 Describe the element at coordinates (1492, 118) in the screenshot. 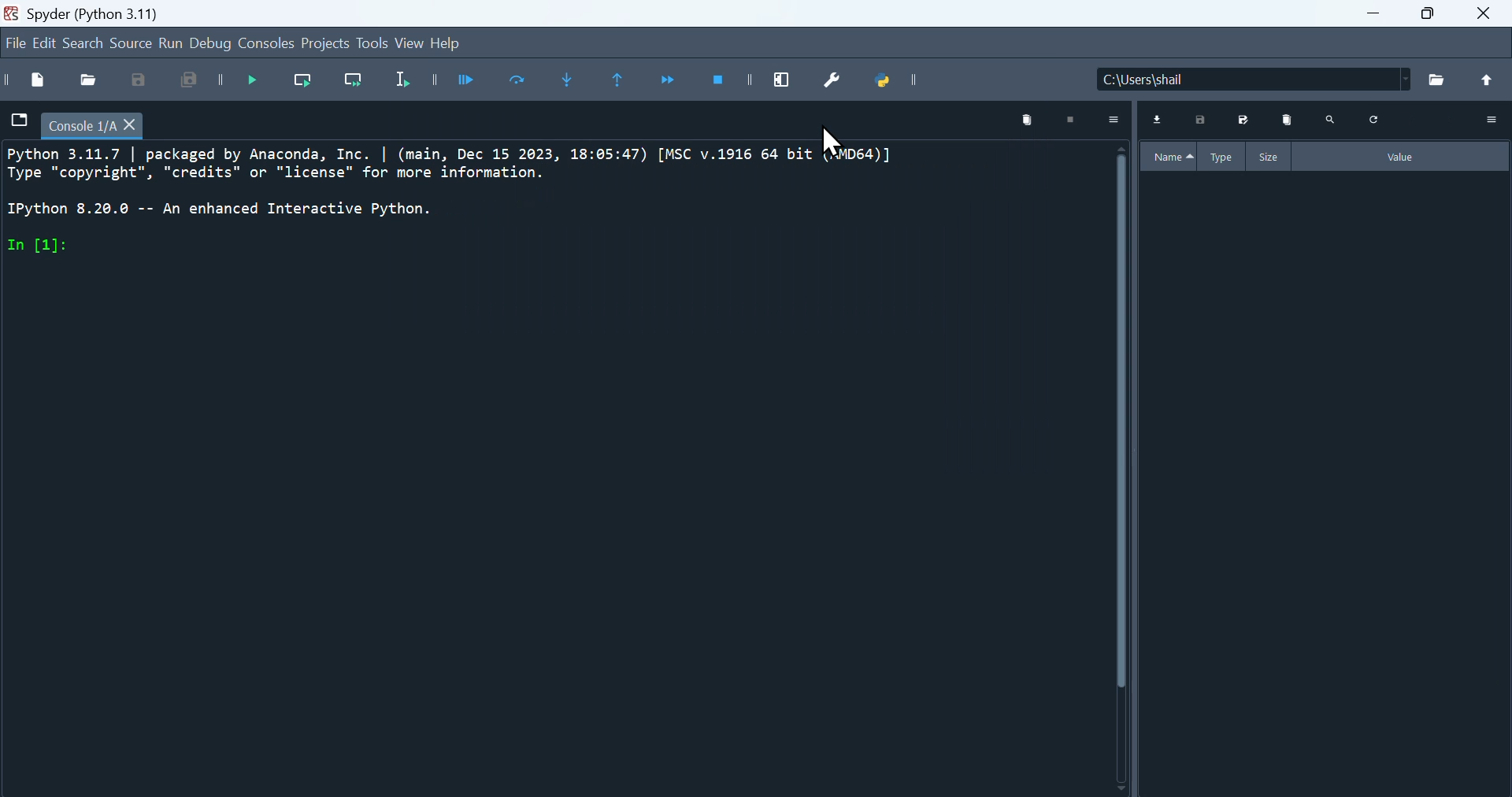

I see `More options` at that location.